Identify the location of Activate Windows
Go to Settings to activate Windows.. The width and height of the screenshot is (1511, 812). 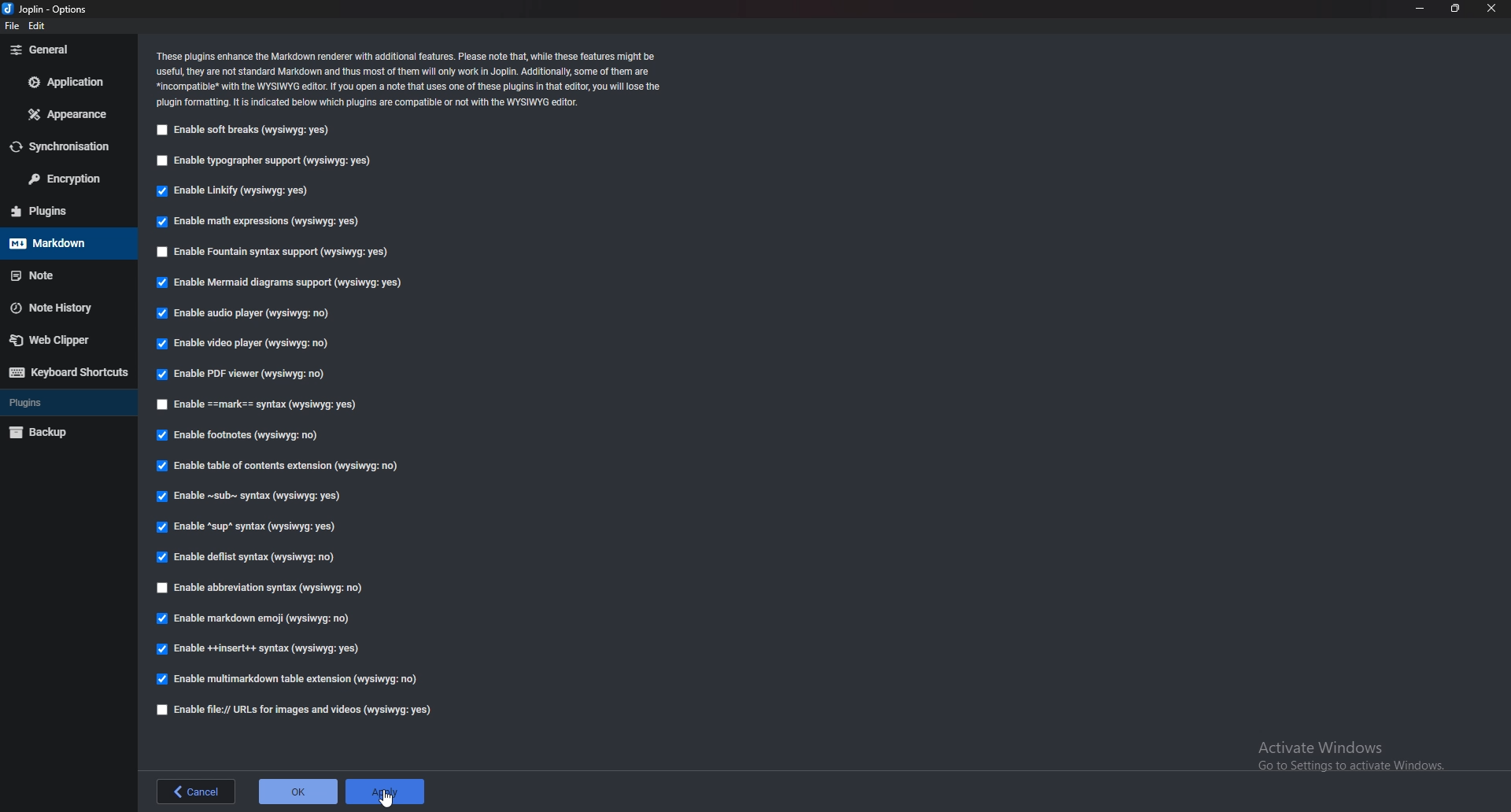
(1345, 751).